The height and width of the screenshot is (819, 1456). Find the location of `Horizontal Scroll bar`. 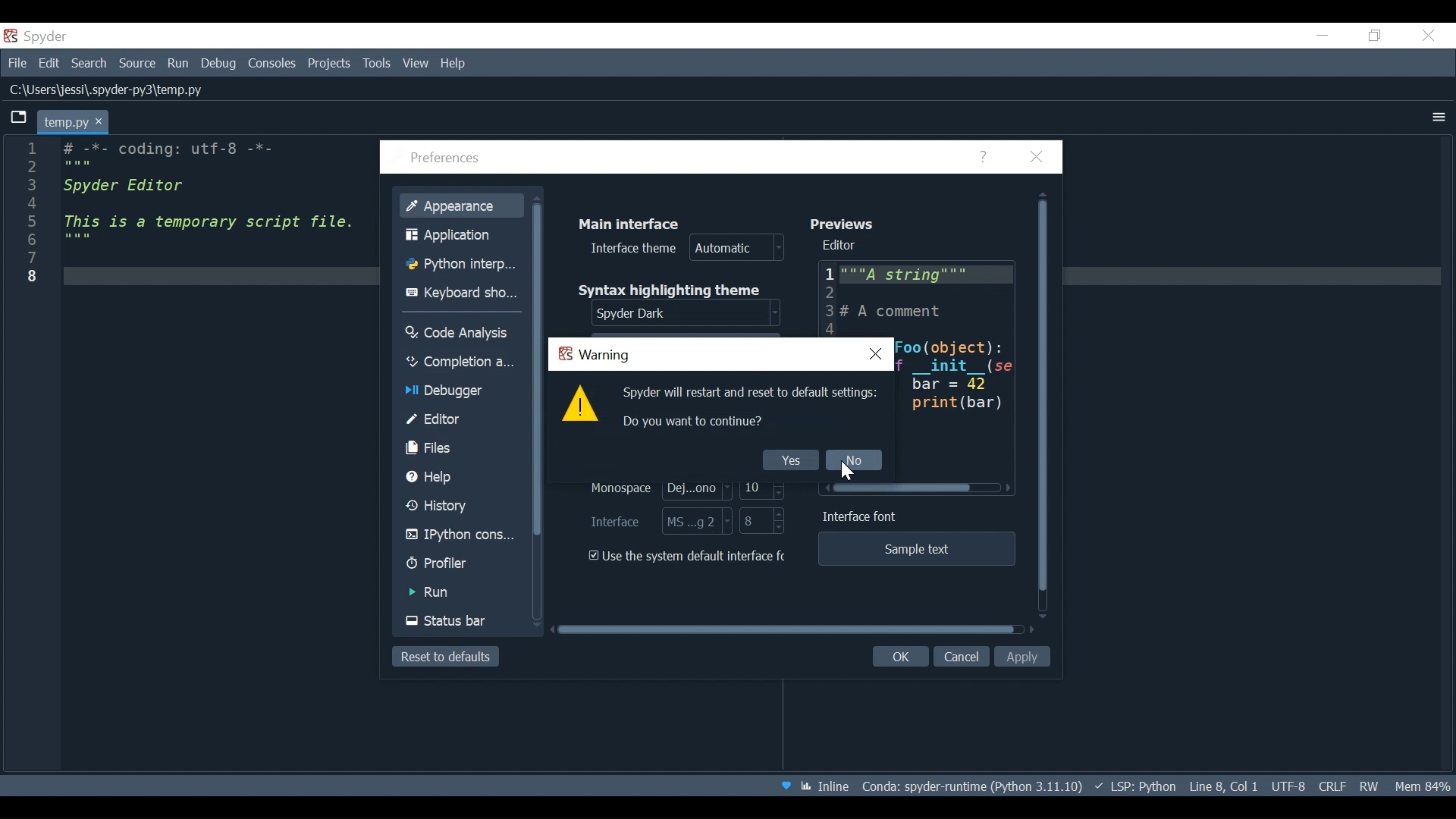

Horizontal Scroll bar is located at coordinates (921, 488).